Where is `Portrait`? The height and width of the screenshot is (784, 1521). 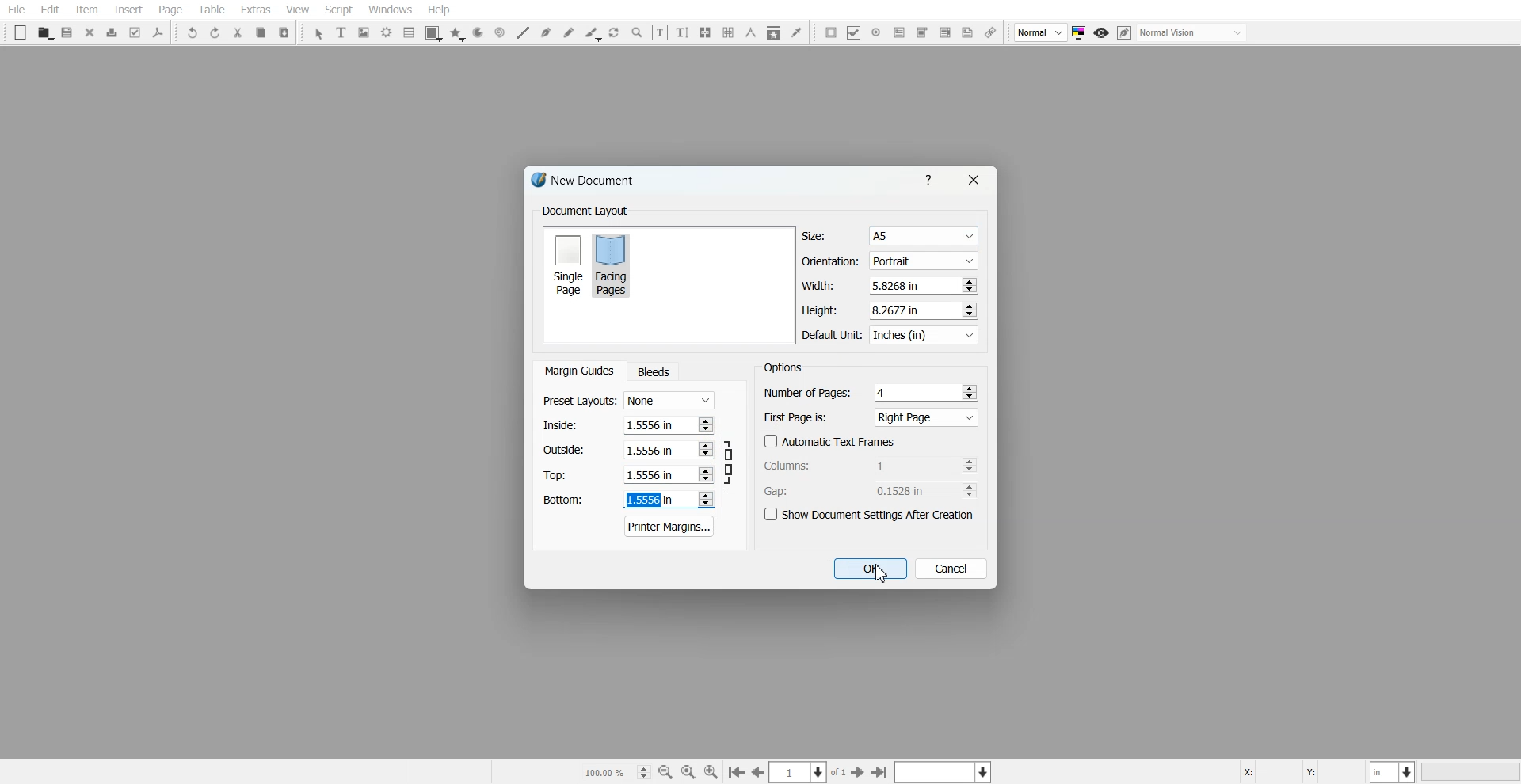 Portrait is located at coordinates (922, 260).